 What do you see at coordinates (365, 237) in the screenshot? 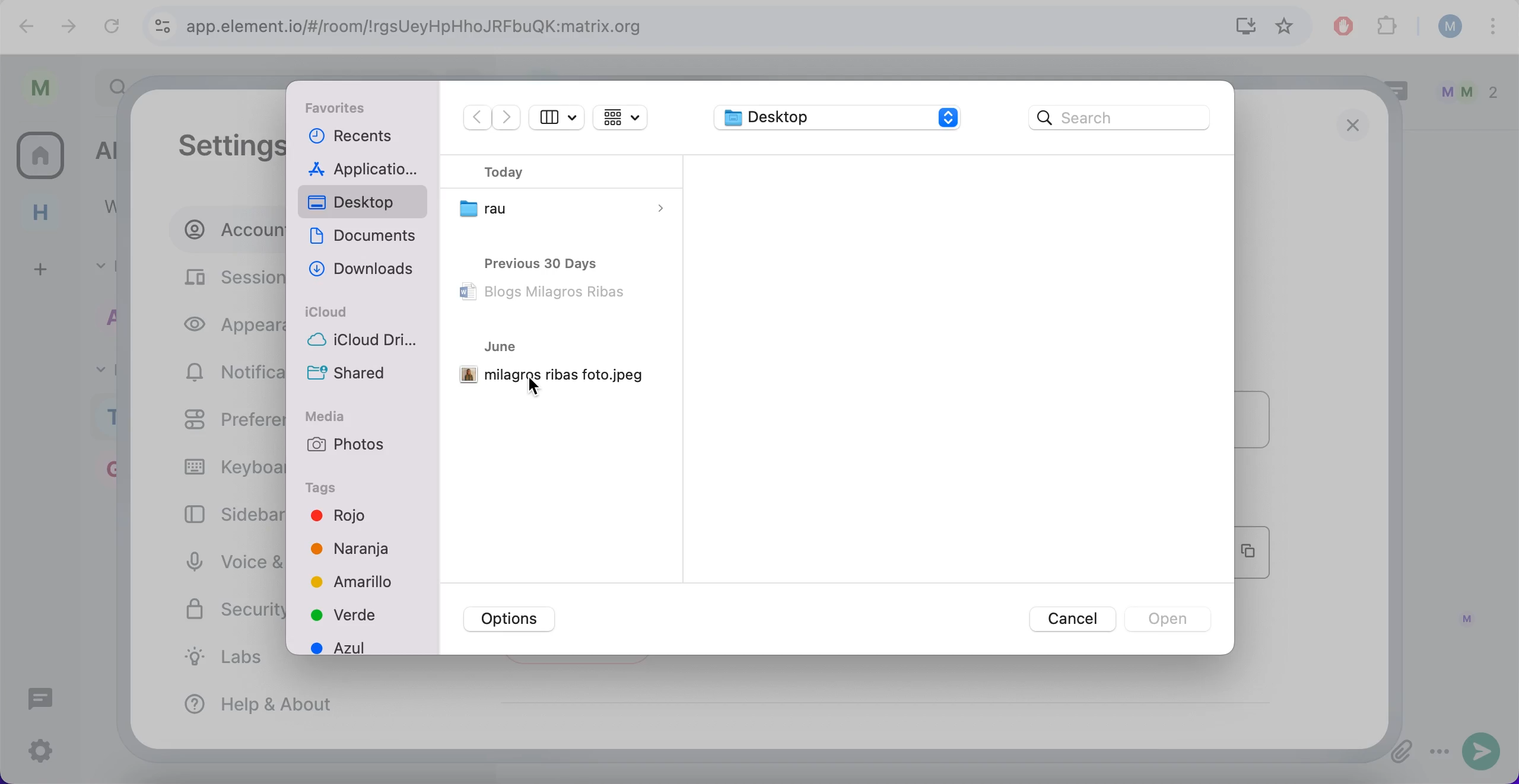
I see `documents` at bounding box center [365, 237].